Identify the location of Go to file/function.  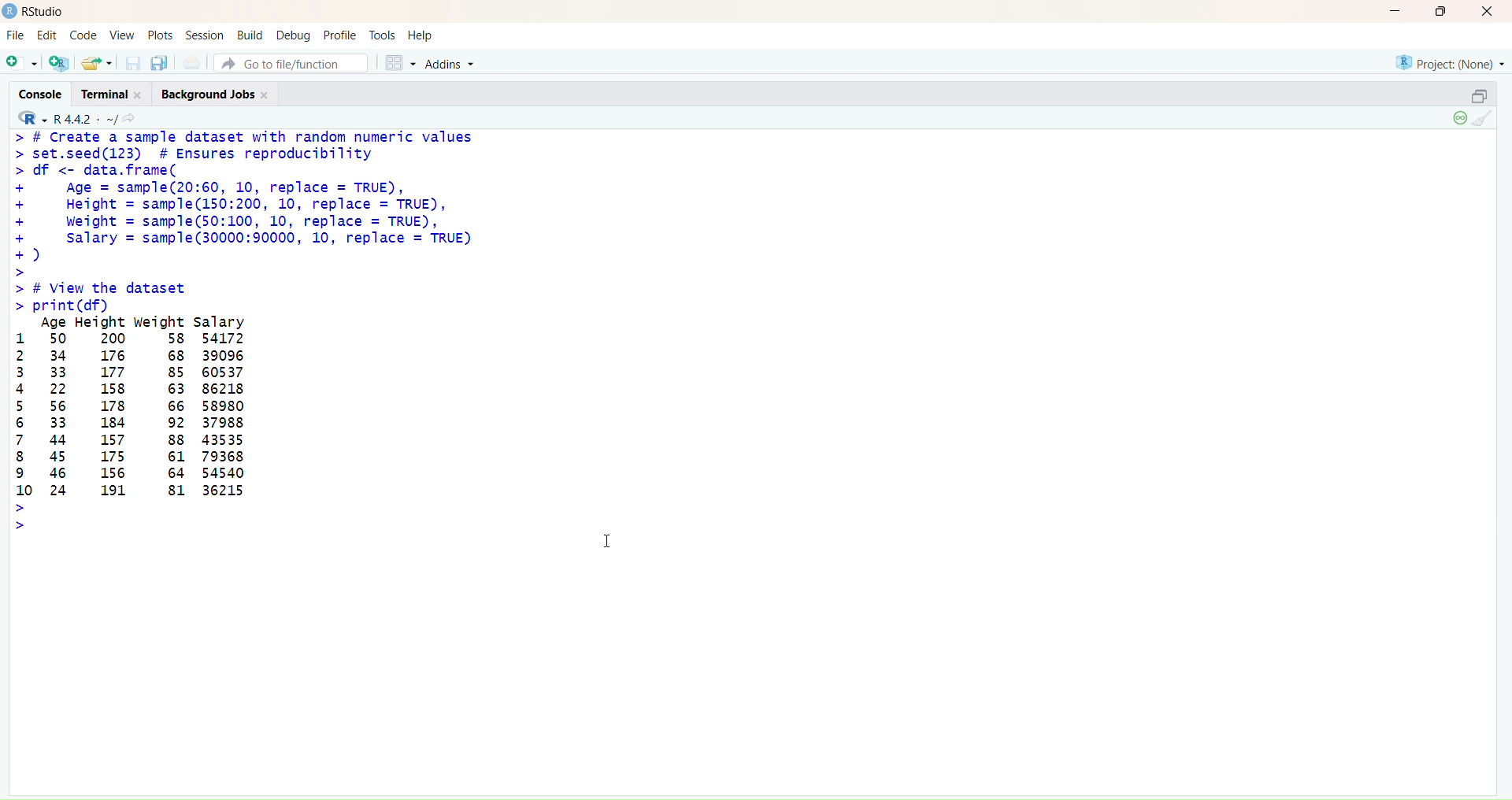
(290, 64).